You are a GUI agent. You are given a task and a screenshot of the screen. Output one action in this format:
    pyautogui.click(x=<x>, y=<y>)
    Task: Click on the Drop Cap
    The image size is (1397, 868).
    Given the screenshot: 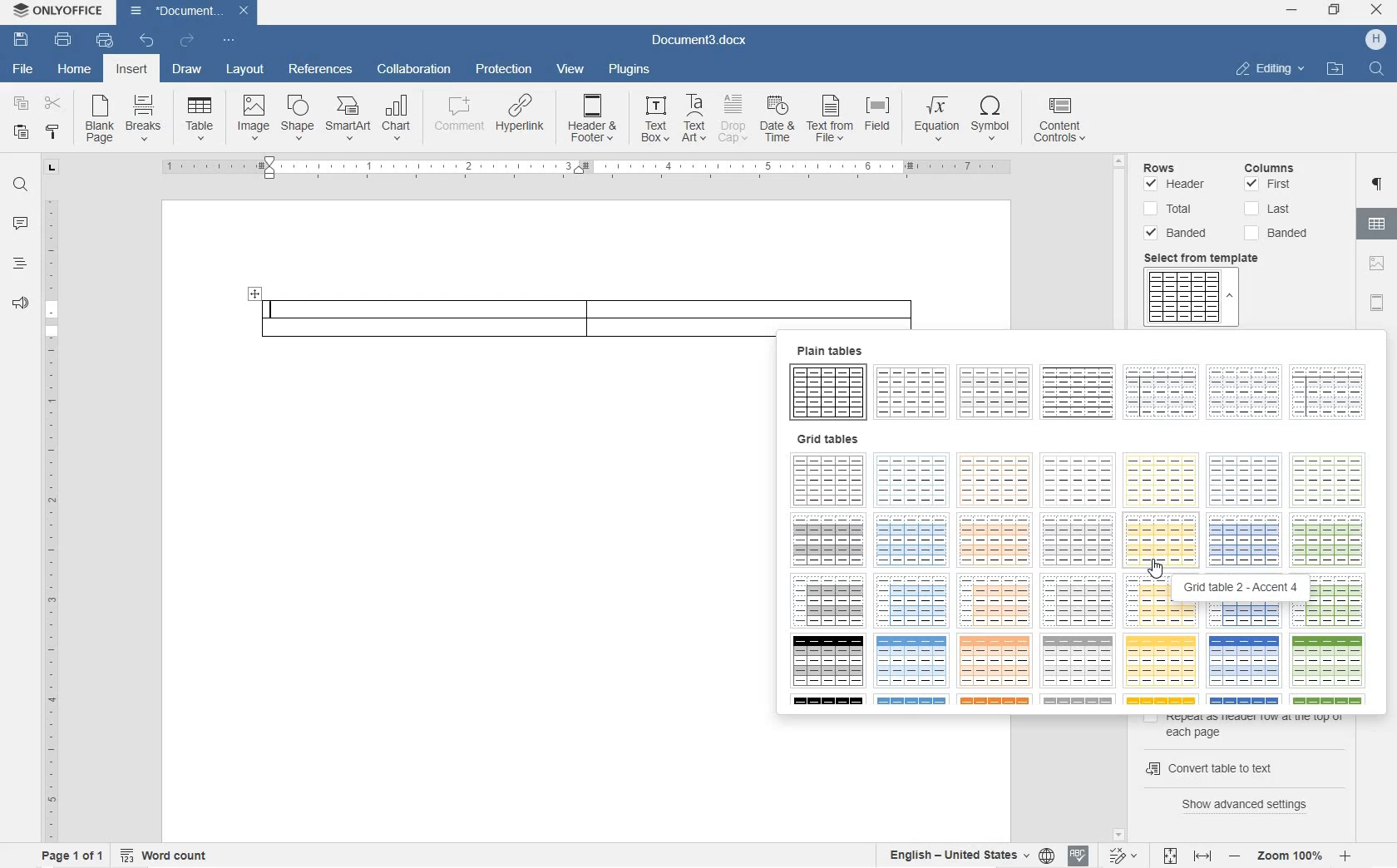 What is the action you would take?
    pyautogui.click(x=733, y=119)
    